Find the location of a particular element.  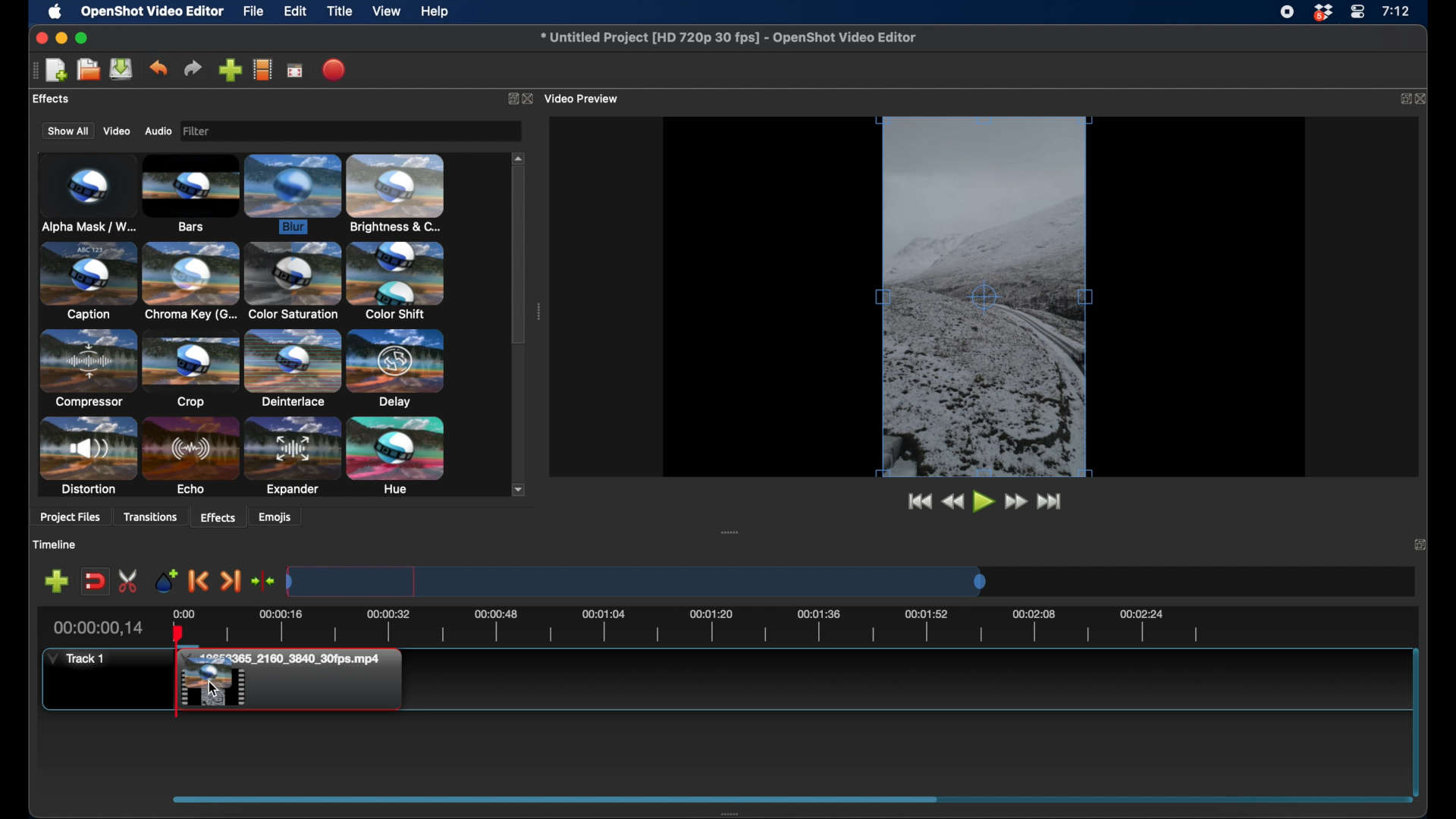

video preview is located at coordinates (586, 98).